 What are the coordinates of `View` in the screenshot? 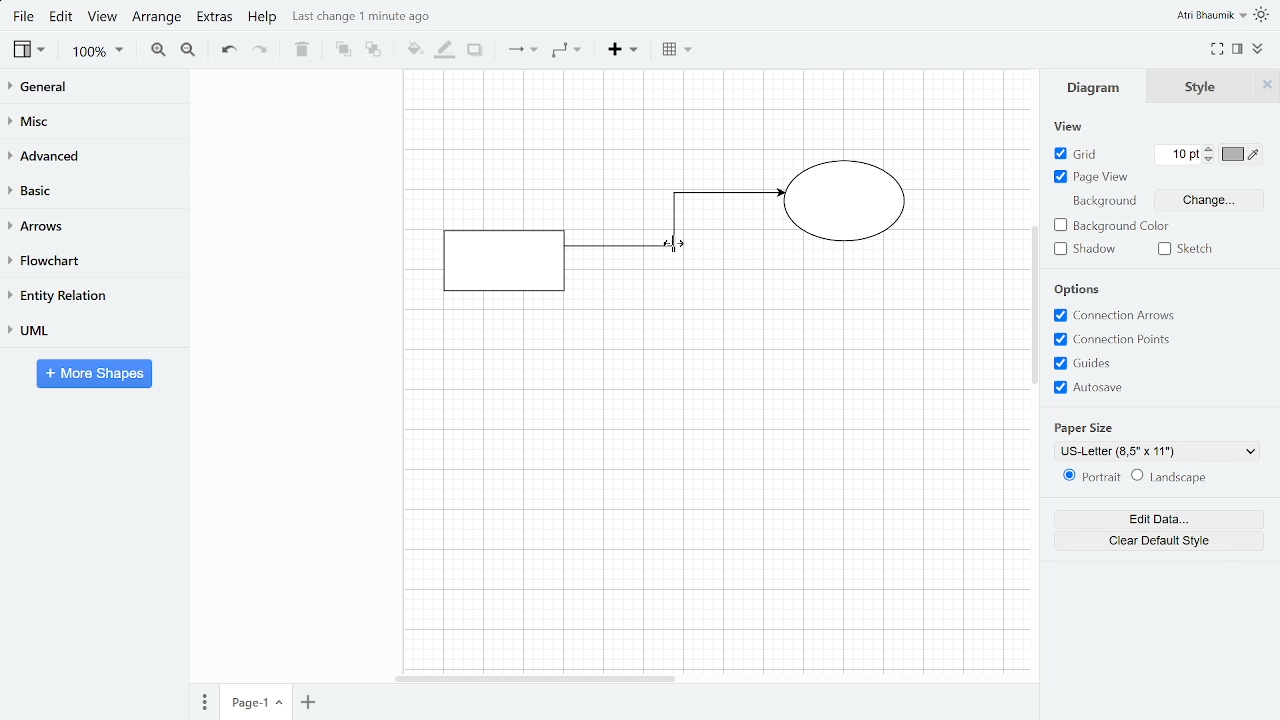 It's located at (27, 50).